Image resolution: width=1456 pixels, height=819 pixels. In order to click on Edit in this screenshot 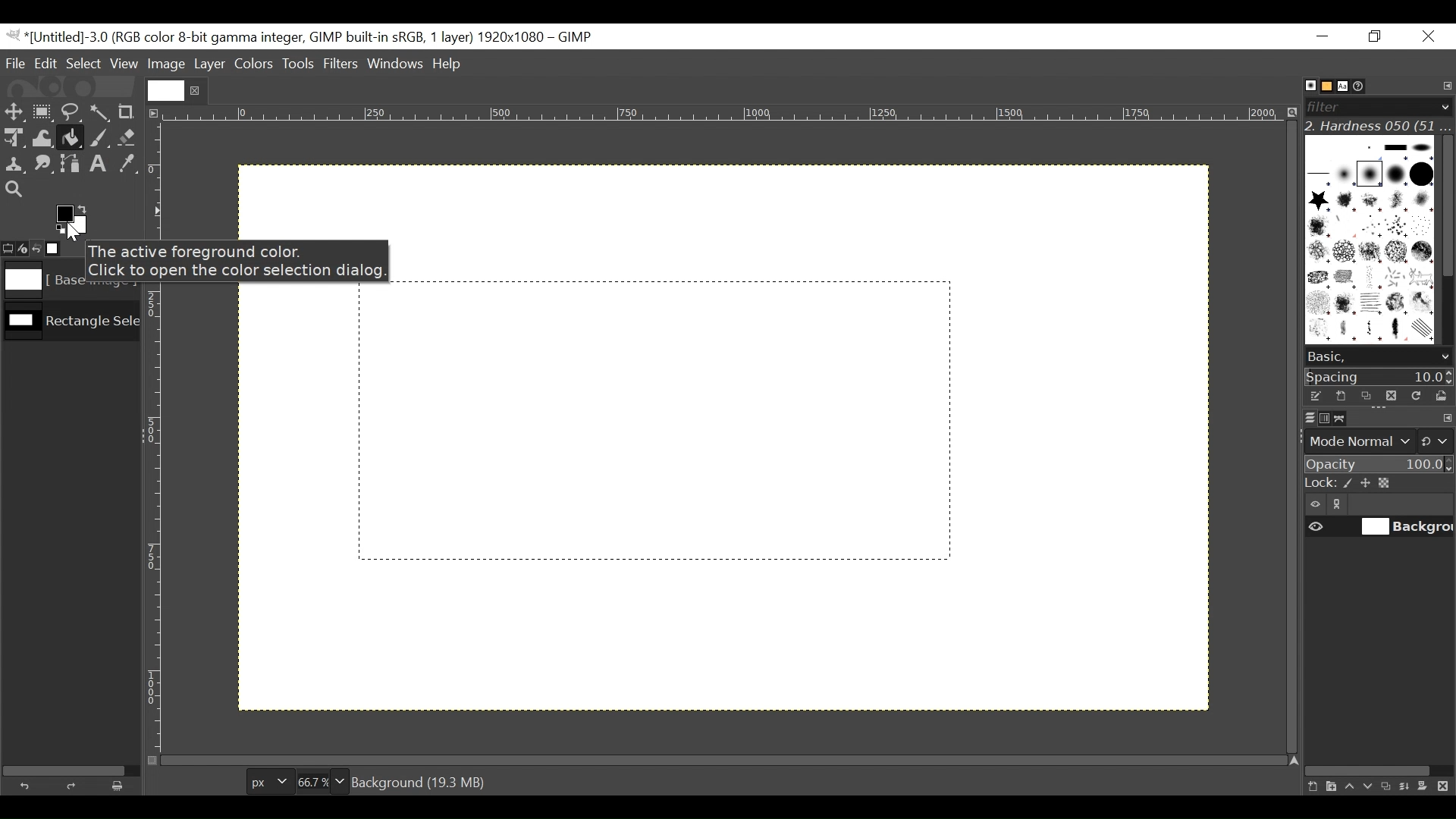, I will do `click(47, 63)`.